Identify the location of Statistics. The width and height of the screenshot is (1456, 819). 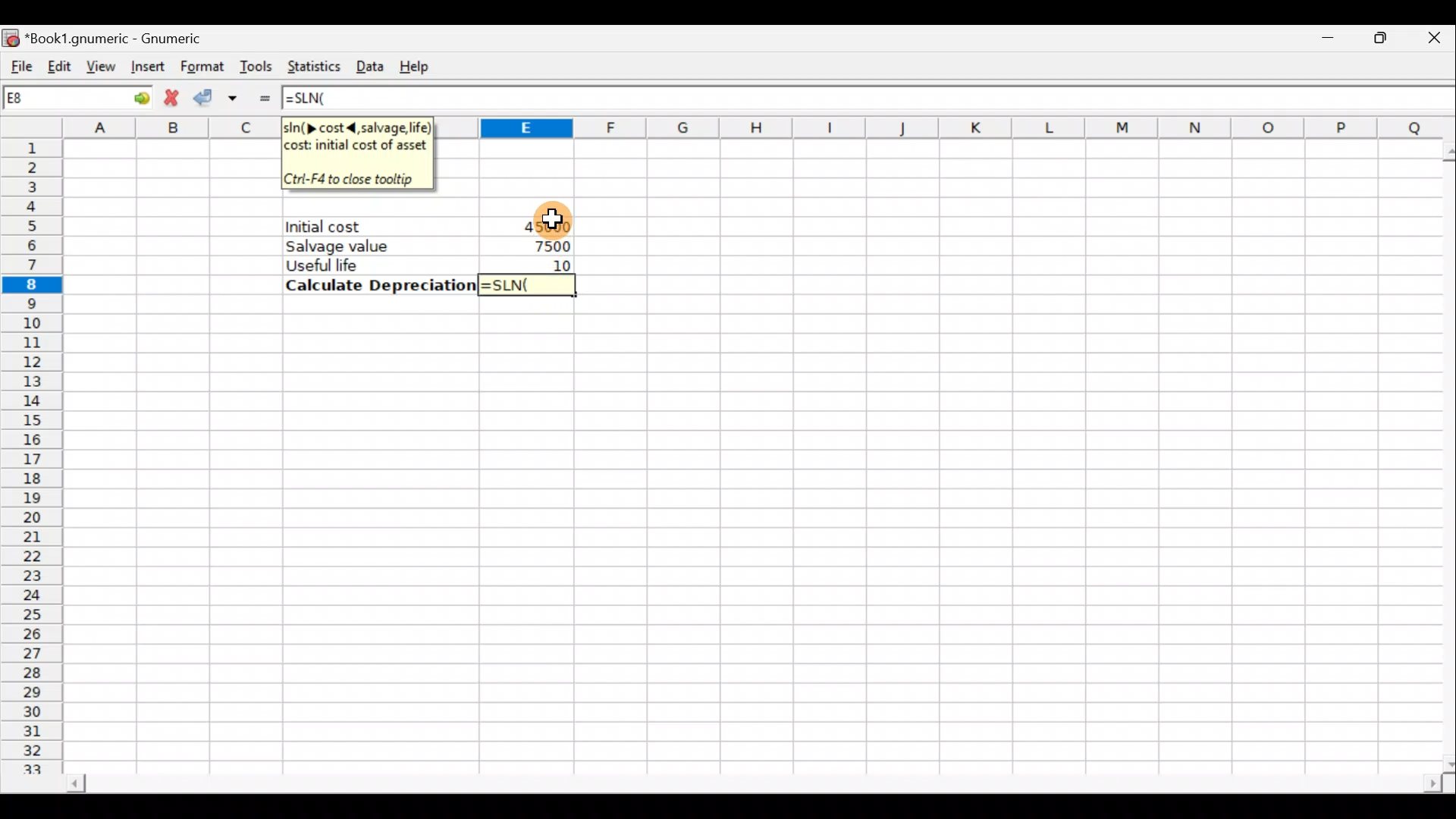
(313, 65).